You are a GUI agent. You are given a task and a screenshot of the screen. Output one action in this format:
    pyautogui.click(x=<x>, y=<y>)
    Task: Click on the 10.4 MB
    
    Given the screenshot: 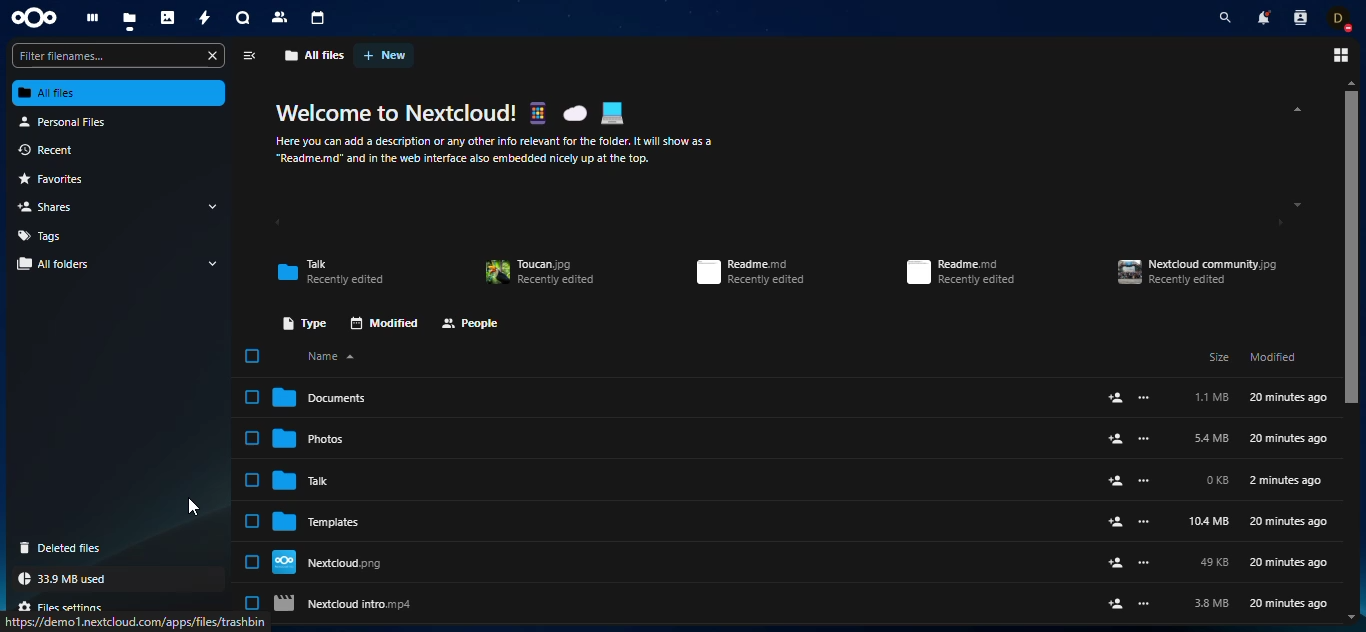 What is the action you would take?
    pyautogui.click(x=1205, y=522)
    